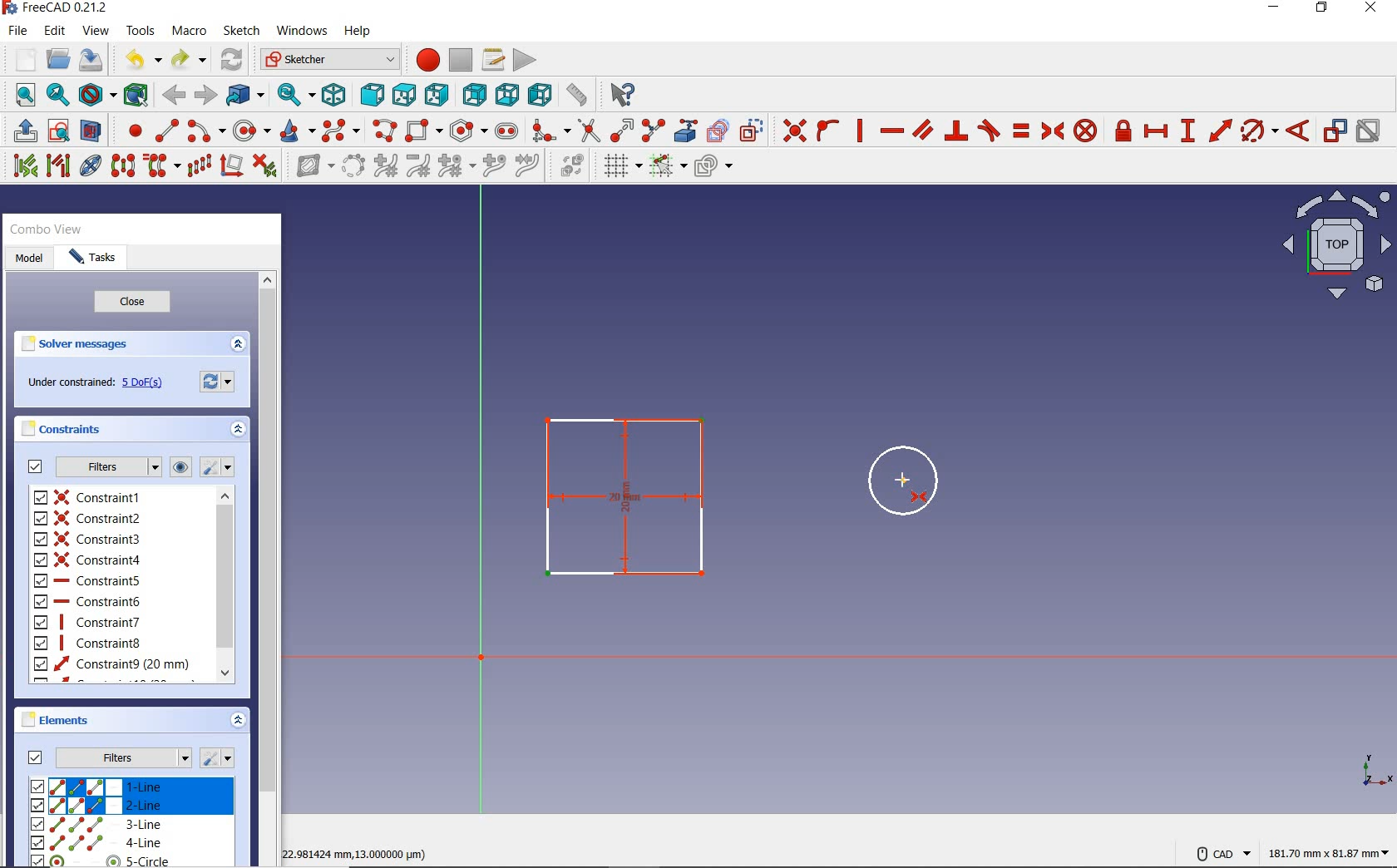  What do you see at coordinates (239, 431) in the screenshot?
I see `expand` at bounding box center [239, 431].